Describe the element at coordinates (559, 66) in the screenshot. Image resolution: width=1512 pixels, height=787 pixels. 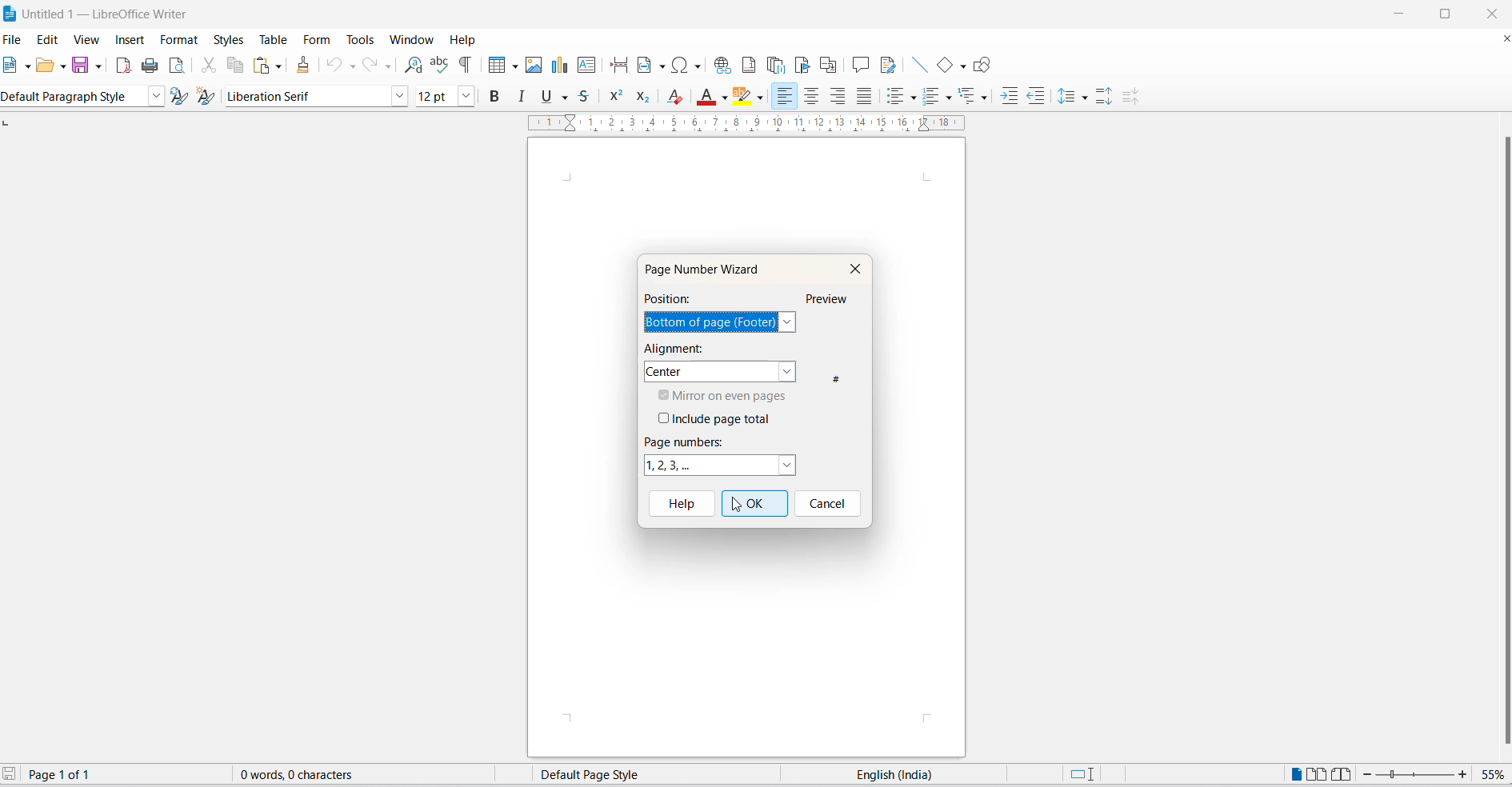
I see `insert charts` at that location.